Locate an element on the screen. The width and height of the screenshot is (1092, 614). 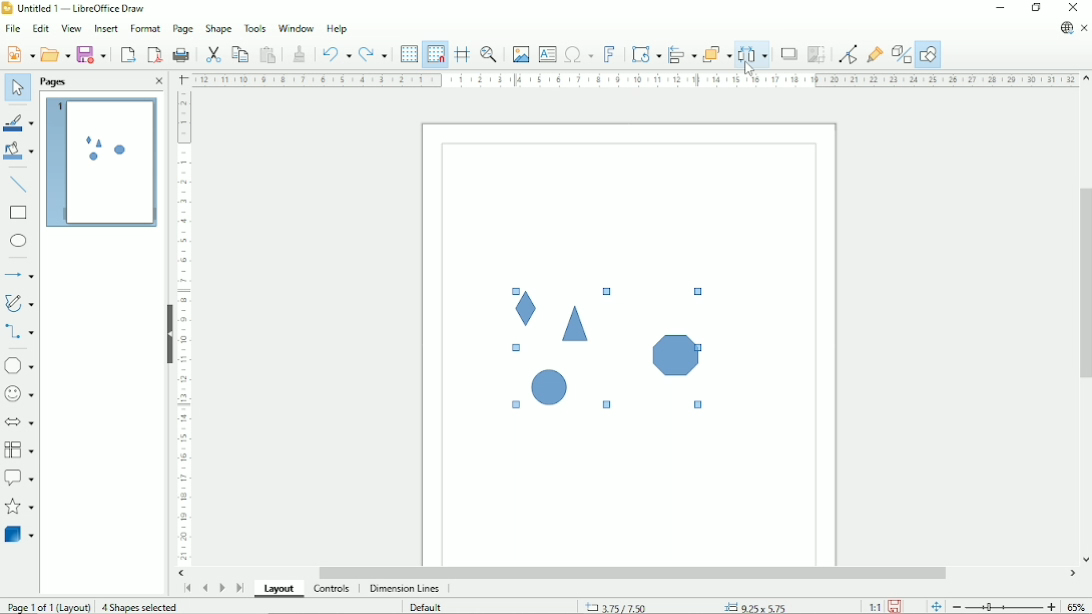
4 shapes selected is located at coordinates (143, 607).